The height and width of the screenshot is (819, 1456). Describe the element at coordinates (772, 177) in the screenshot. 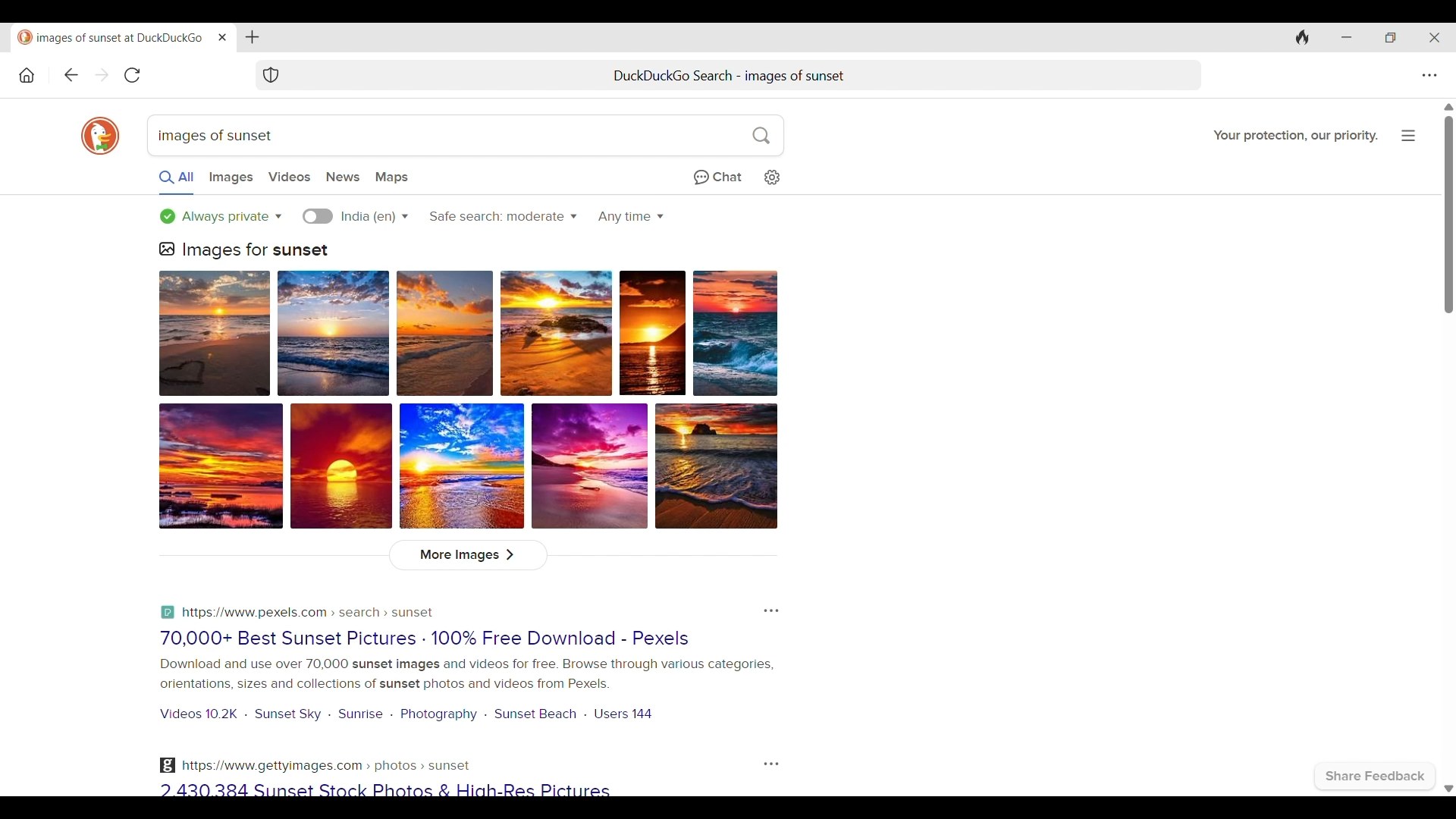

I see `Change search settings` at that location.